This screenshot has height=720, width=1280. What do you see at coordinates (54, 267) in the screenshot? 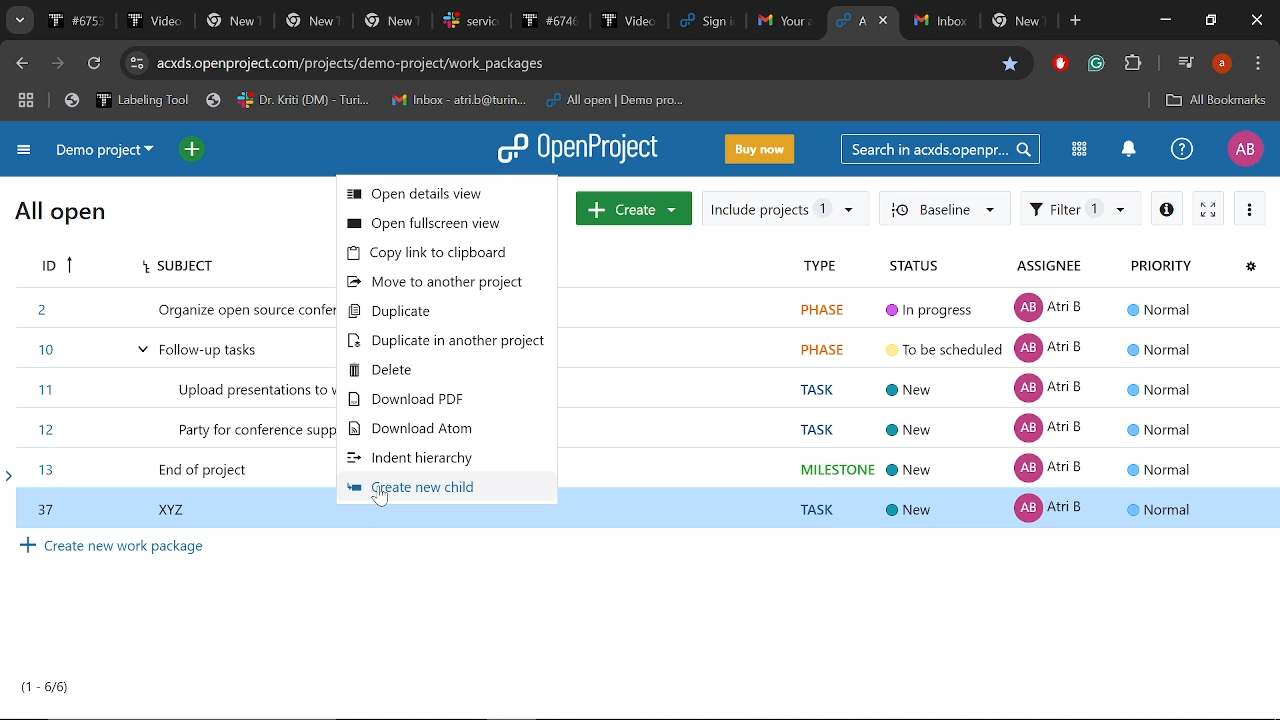
I see `Task Id` at bounding box center [54, 267].